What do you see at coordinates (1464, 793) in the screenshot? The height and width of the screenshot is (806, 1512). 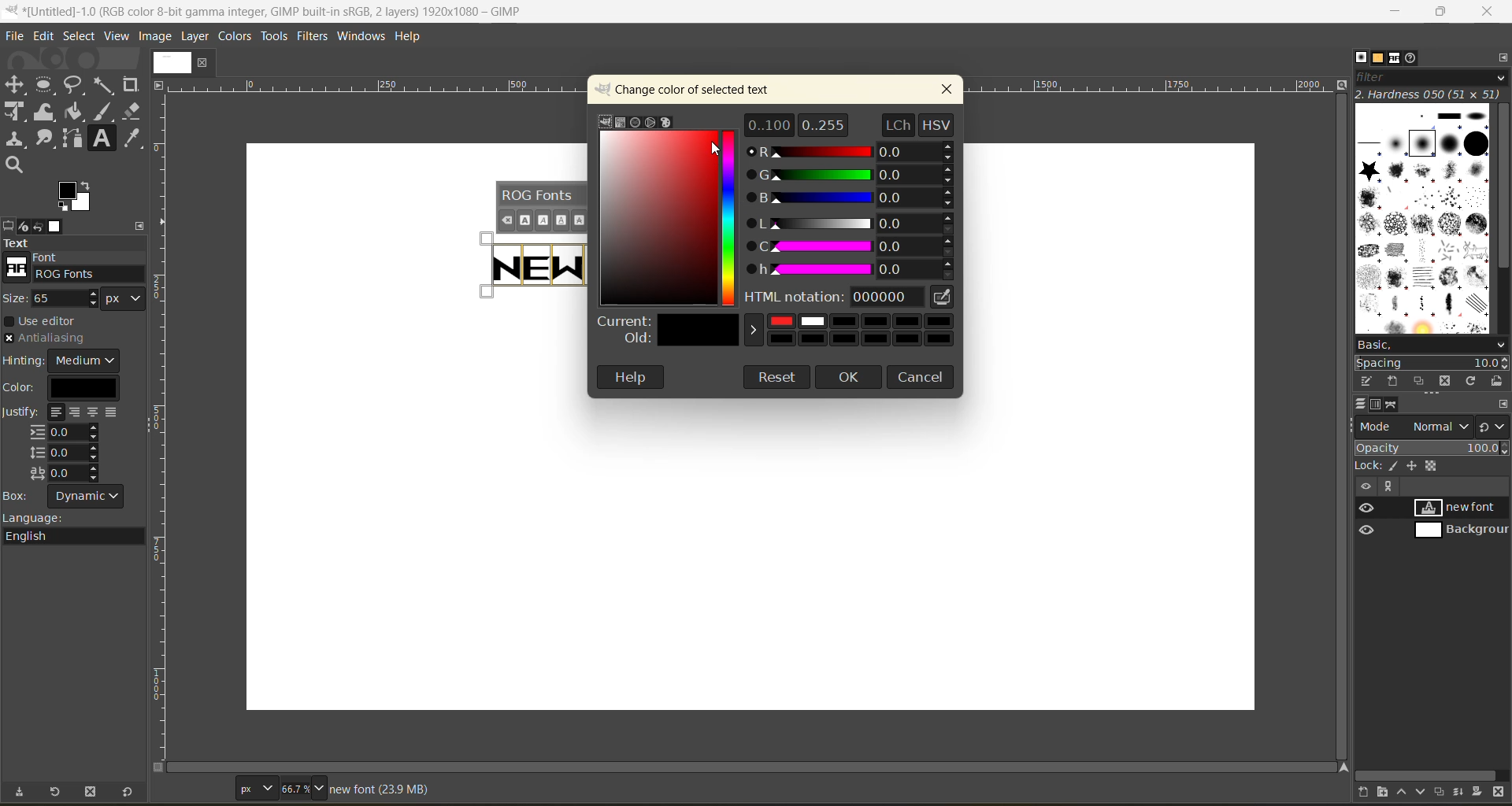 I see `merge this layer` at bounding box center [1464, 793].